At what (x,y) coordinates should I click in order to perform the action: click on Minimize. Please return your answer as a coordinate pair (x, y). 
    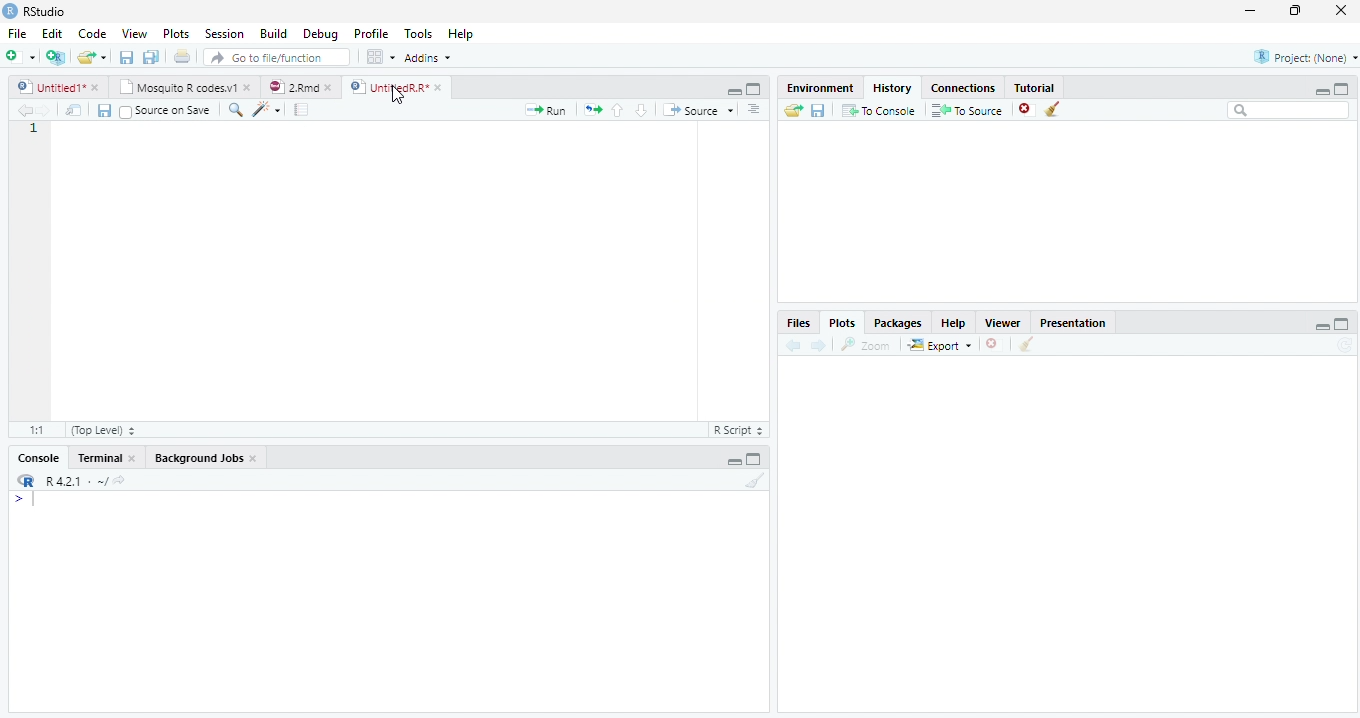
    Looking at the image, I should click on (1323, 328).